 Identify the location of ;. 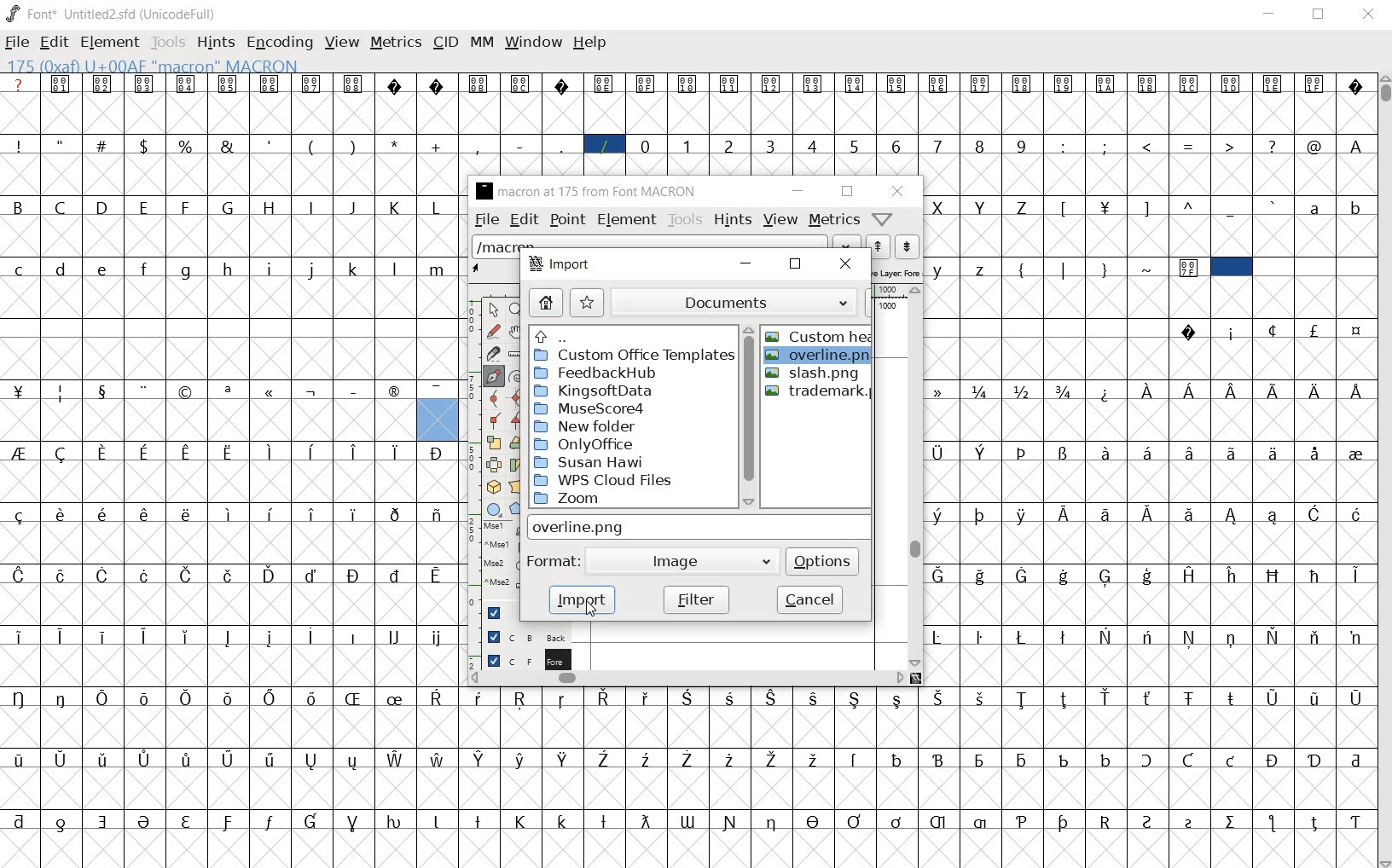
(1106, 146).